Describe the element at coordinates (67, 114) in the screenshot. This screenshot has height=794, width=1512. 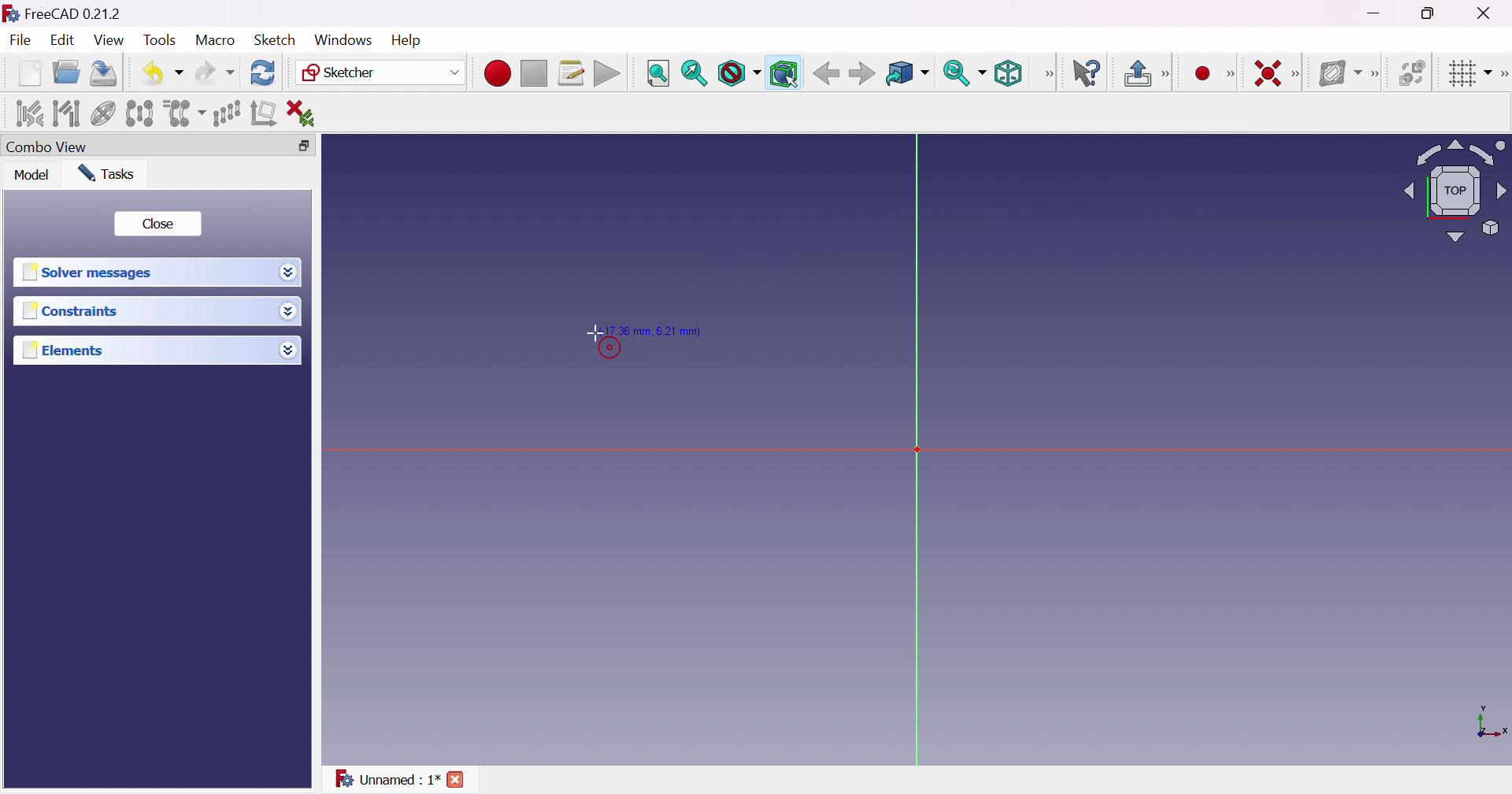
I see `Select associated geometry` at that location.